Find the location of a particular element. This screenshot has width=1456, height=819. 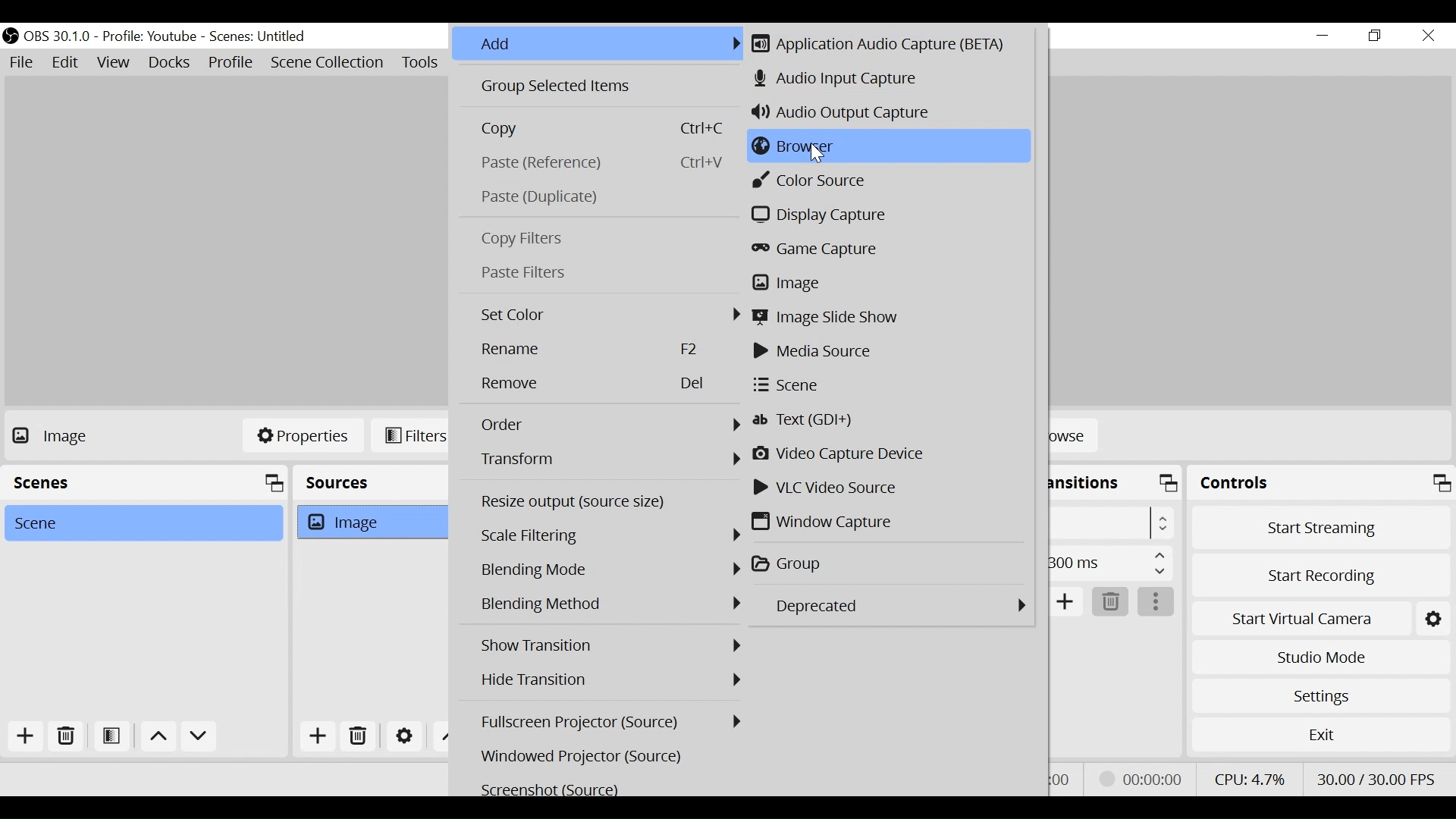

Docks is located at coordinates (169, 64).